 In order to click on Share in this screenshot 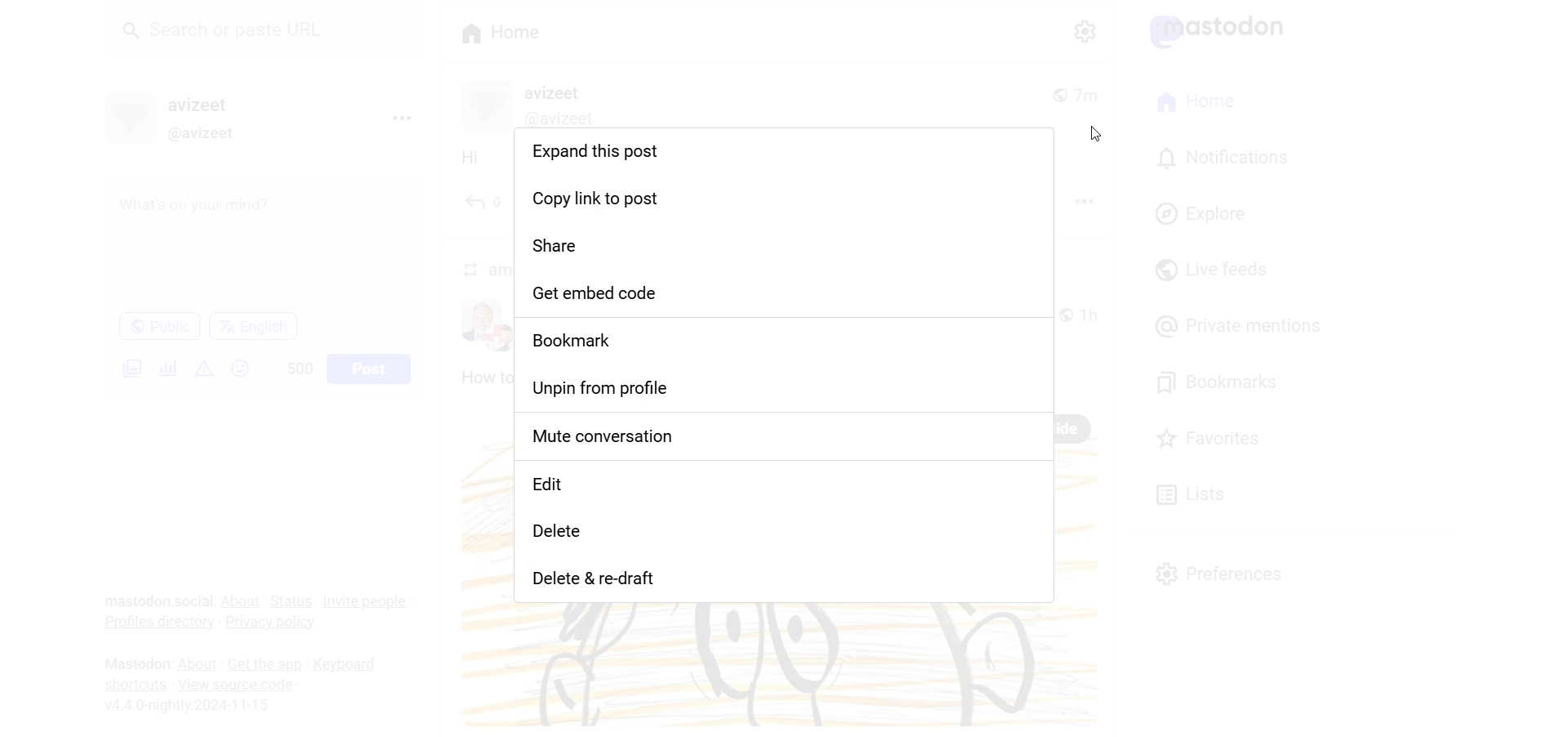, I will do `click(785, 245)`.